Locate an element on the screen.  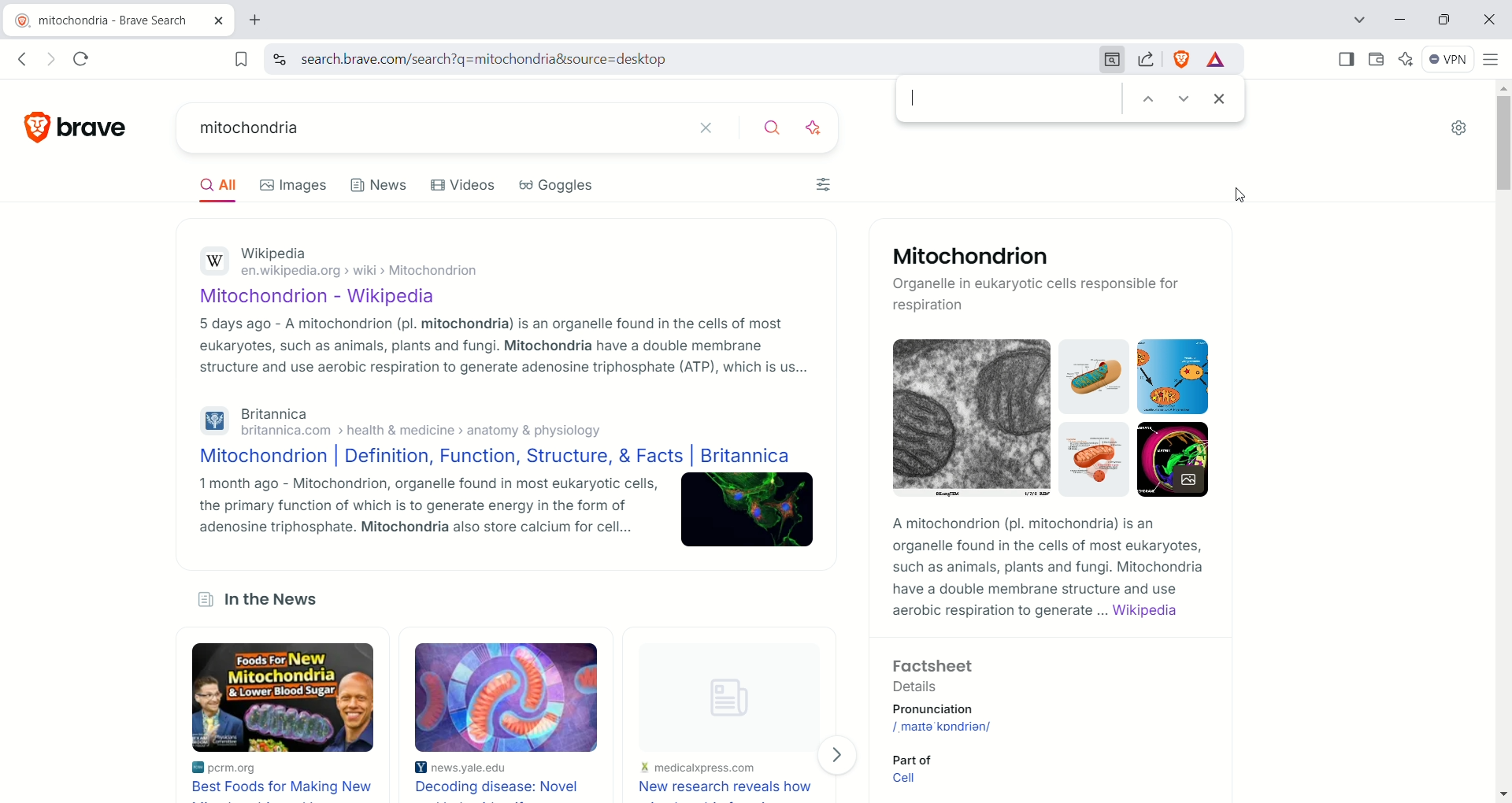
vertical scroll bar is located at coordinates (1503, 442).